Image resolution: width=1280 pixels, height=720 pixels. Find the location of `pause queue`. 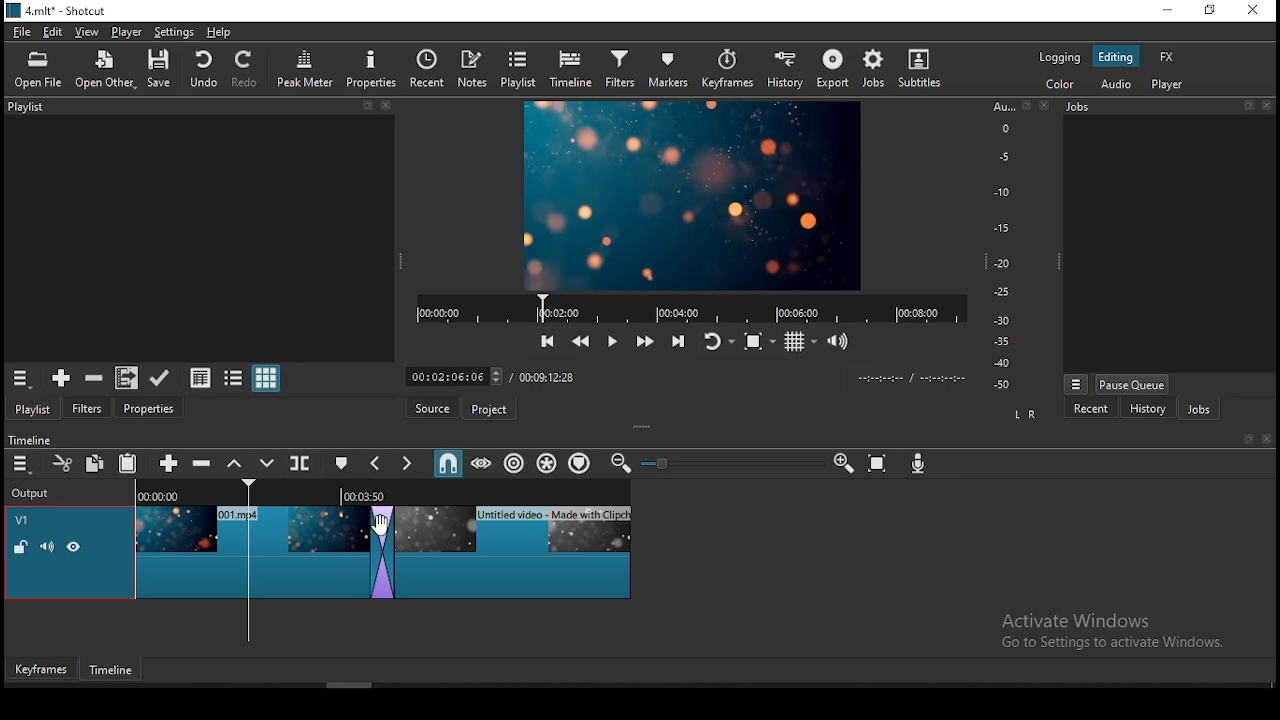

pause queue is located at coordinates (1132, 385).